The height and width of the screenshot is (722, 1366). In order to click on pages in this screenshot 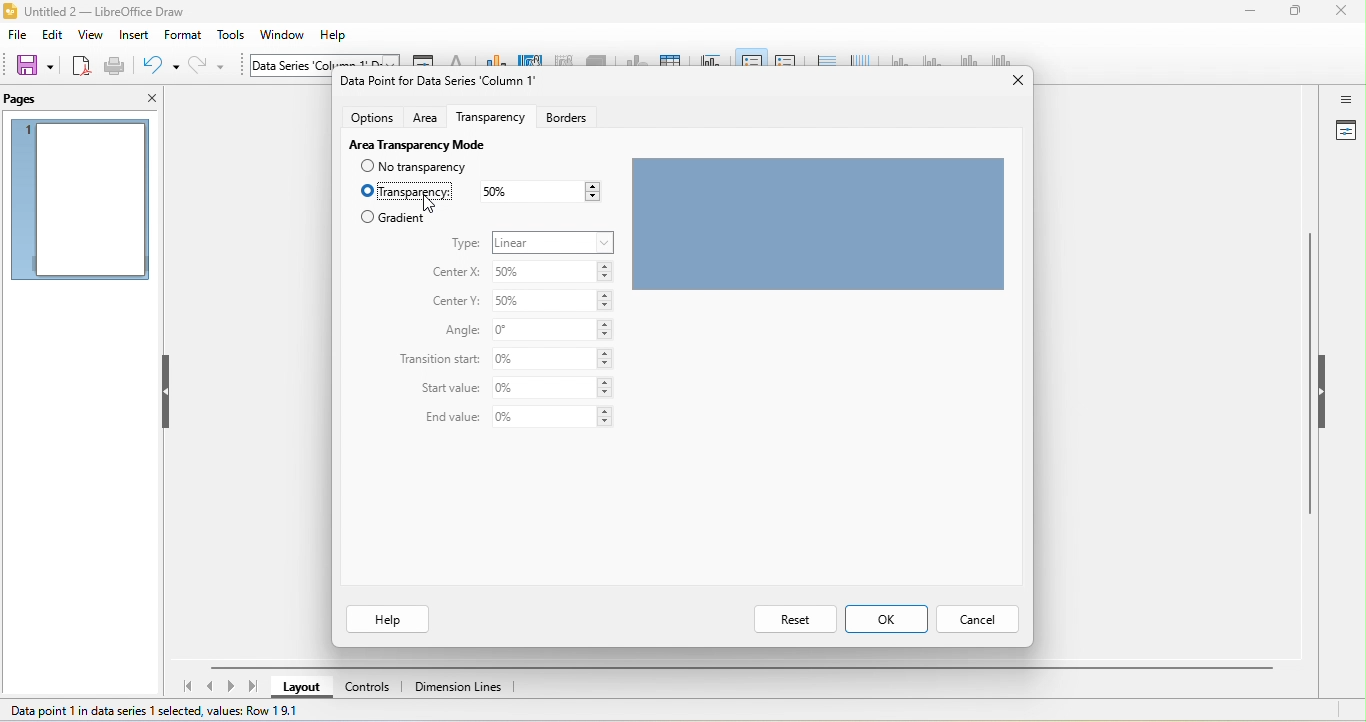, I will do `click(39, 99)`.